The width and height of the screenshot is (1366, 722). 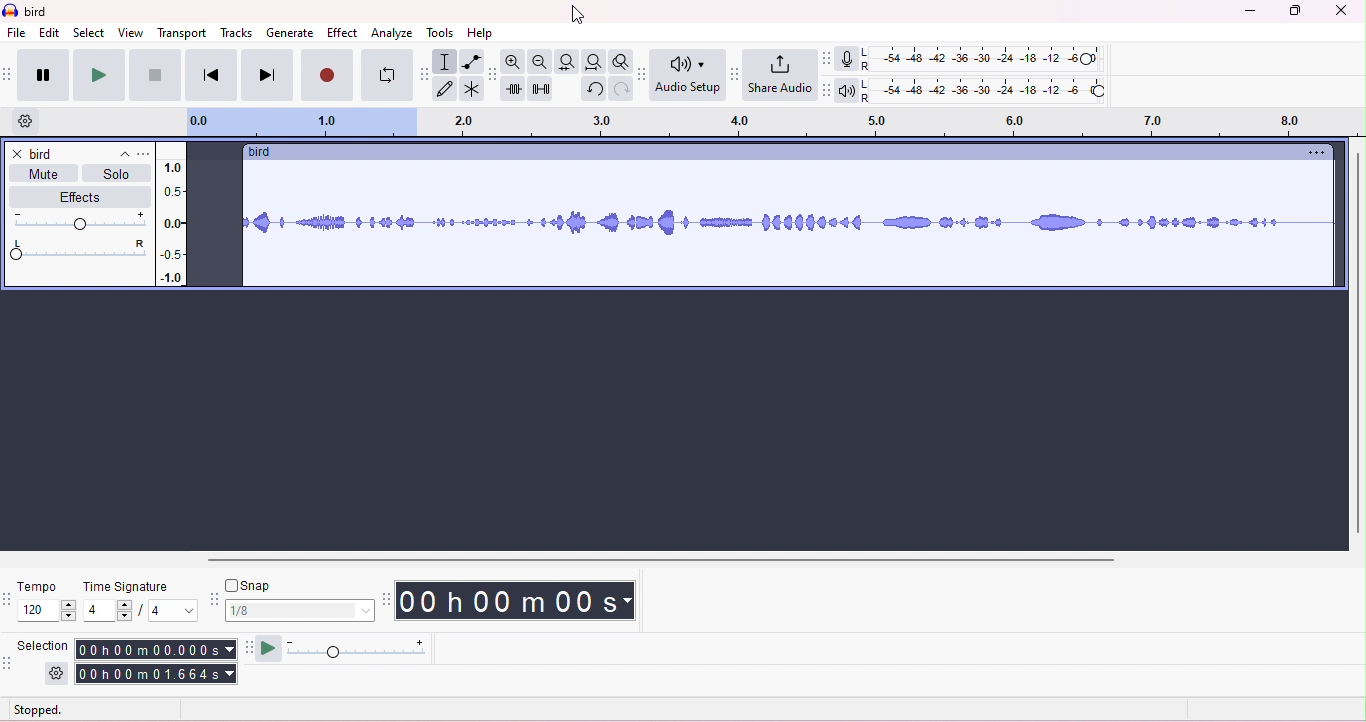 What do you see at coordinates (357, 650) in the screenshot?
I see `playback speed` at bounding box center [357, 650].